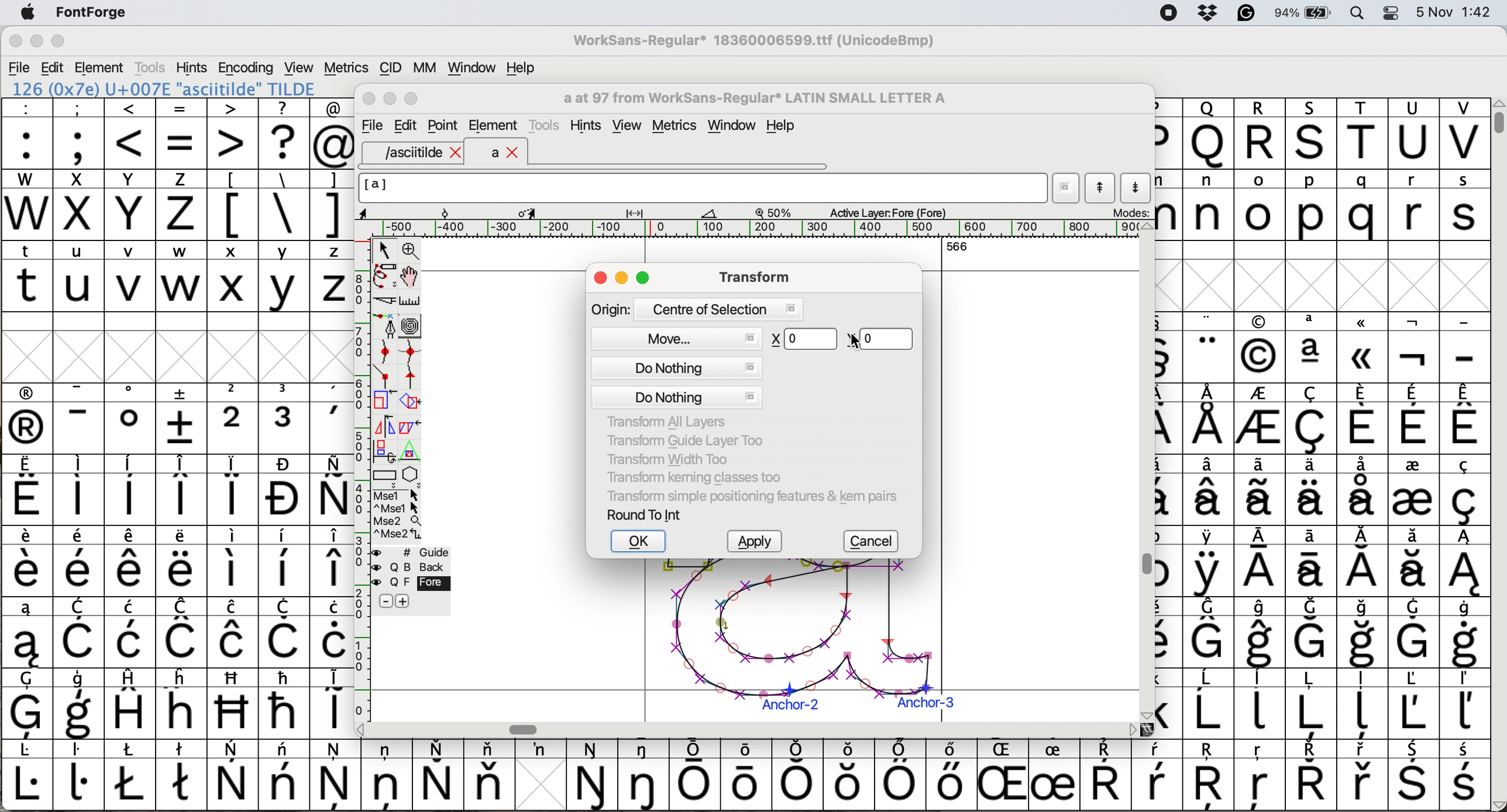  Describe the element at coordinates (421, 153) in the screenshot. I see `asciitilde` at that location.